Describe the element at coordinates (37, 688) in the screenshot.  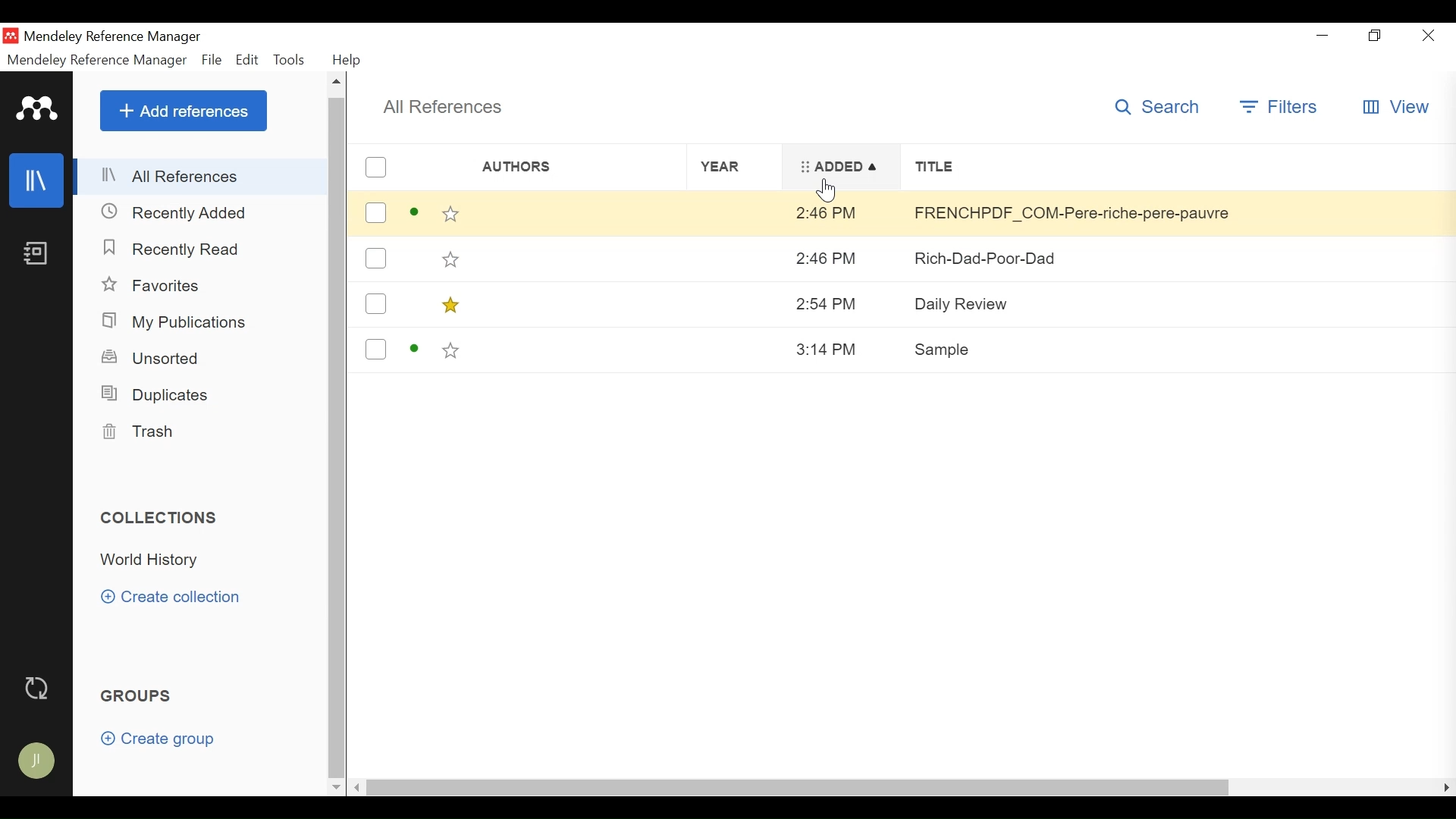
I see `Sync` at that location.